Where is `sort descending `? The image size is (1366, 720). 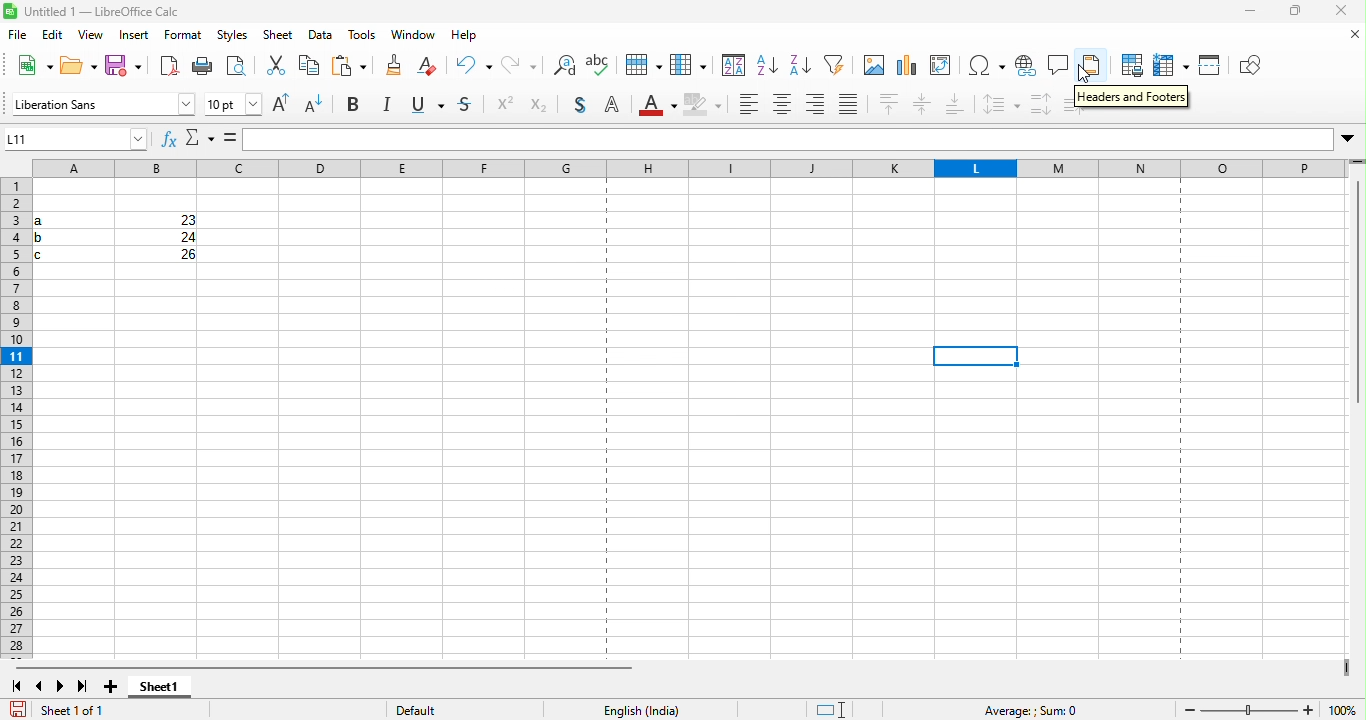
sort descending  is located at coordinates (767, 65).